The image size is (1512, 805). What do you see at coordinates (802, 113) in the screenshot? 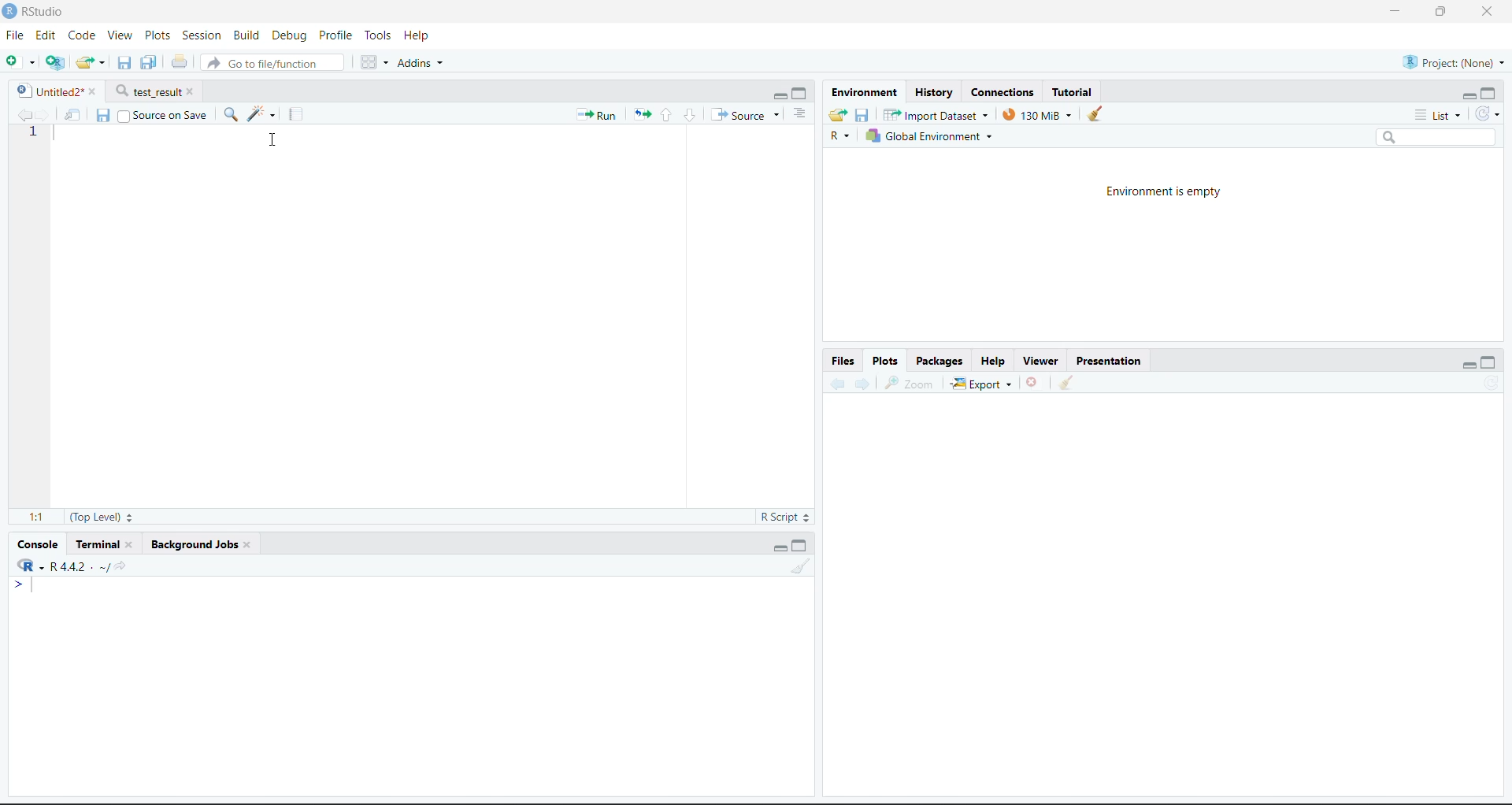
I see `List` at bounding box center [802, 113].